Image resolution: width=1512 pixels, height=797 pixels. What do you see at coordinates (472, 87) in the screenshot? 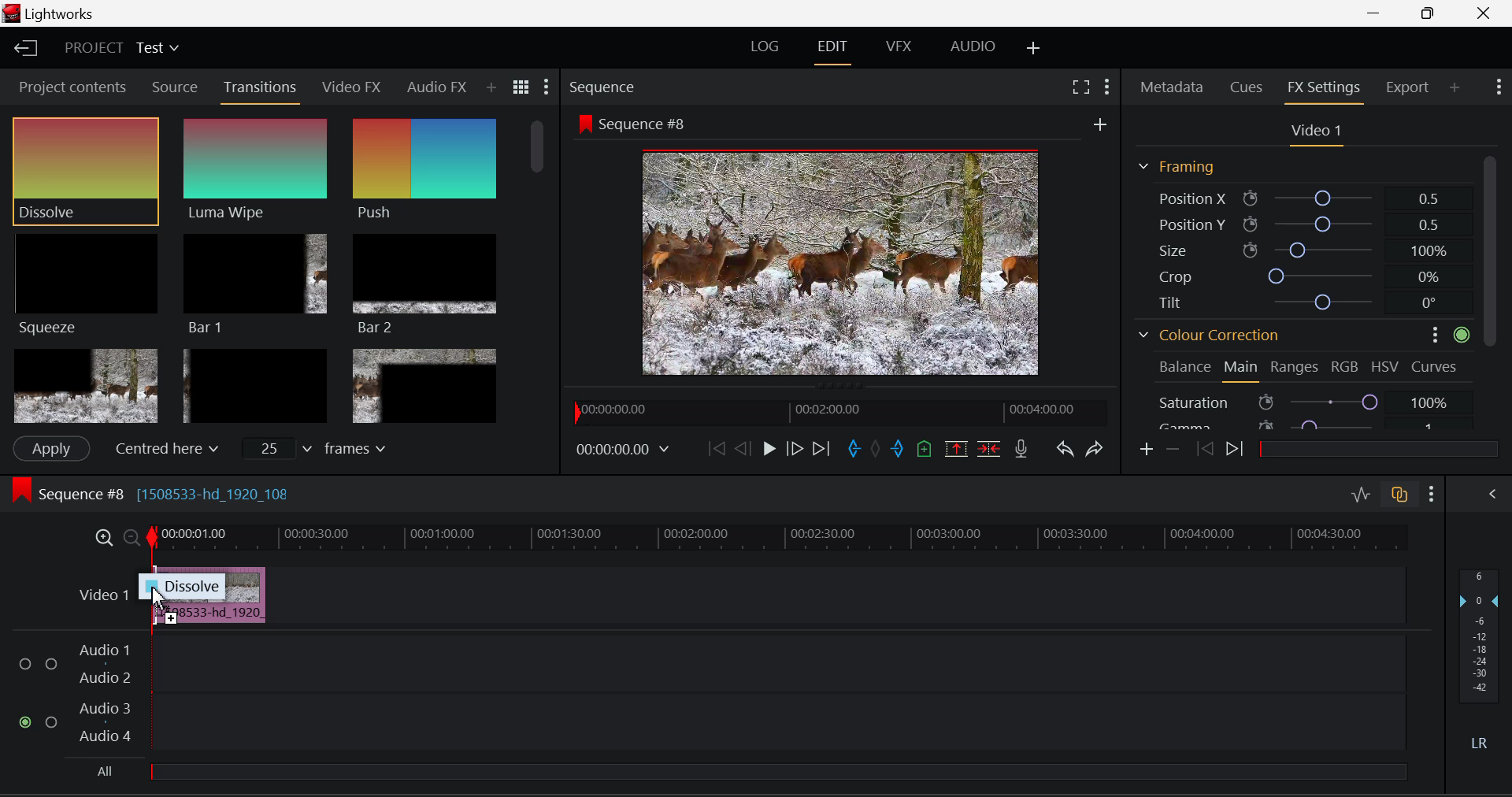
I see `Add Panel` at bounding box center [472, 87].